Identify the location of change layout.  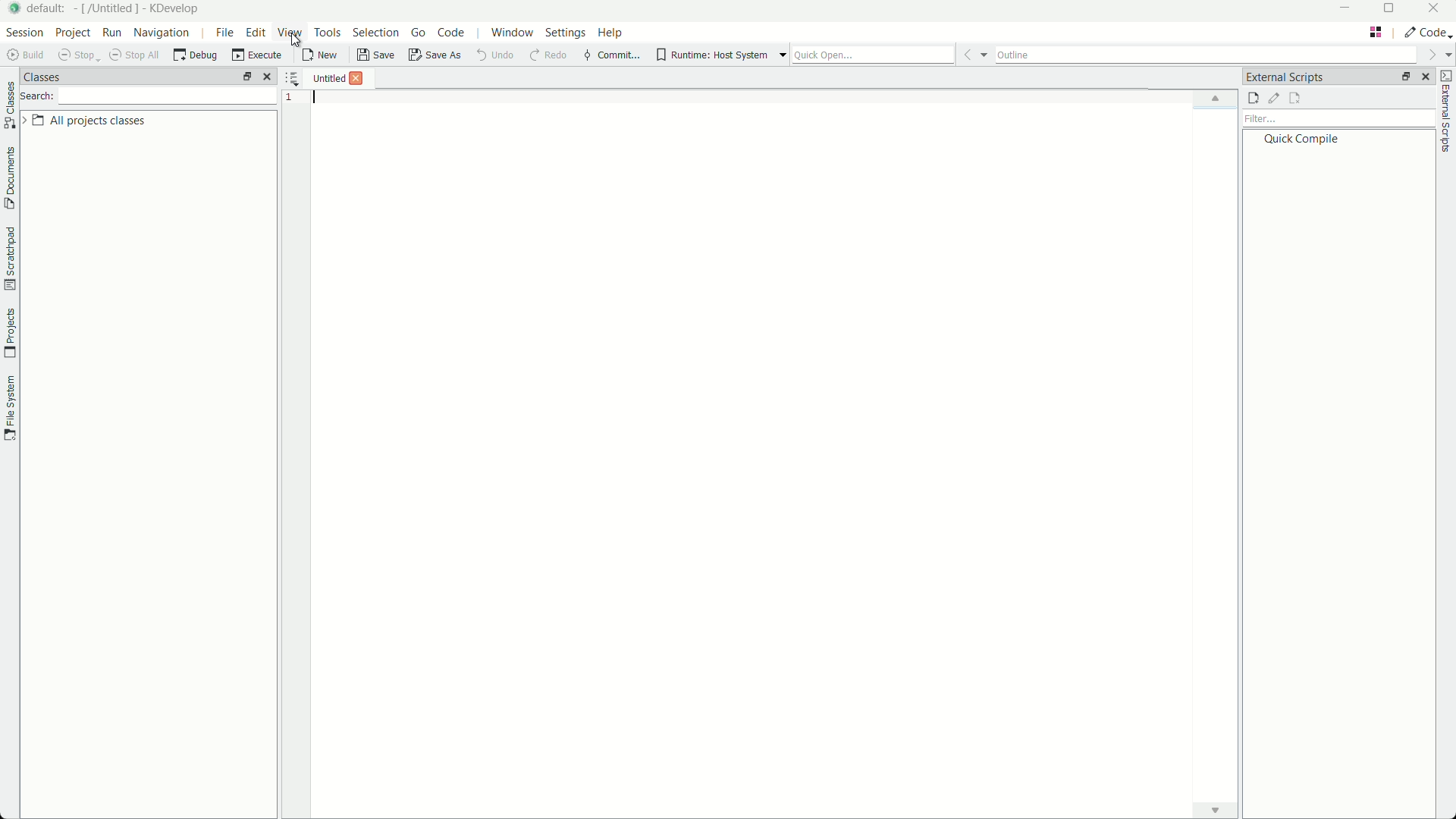
(1400, 78).